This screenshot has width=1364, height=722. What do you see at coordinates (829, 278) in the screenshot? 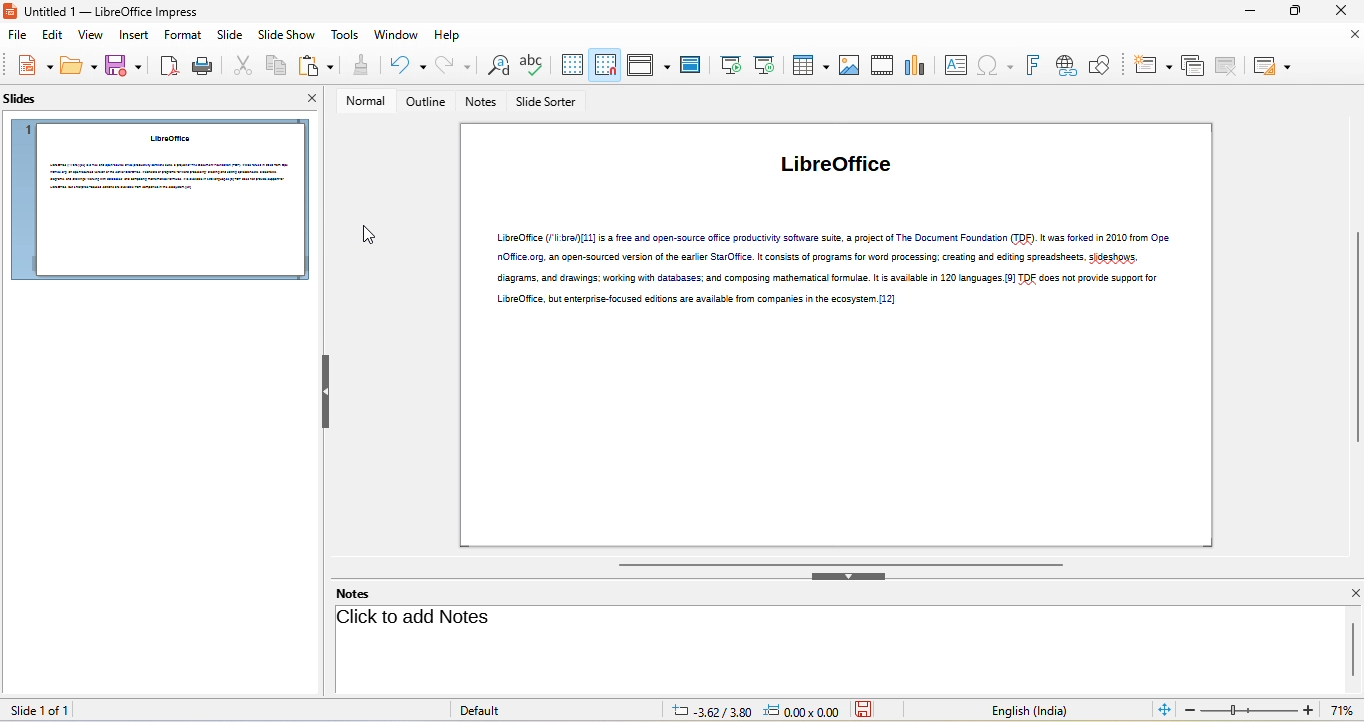
I see `diagrams, and drawings: working with databases; and composing mathematical formulae. It is available in 120 languages. [9] TDF does not provide support for
jiagr` at bounding box center [829, 278].